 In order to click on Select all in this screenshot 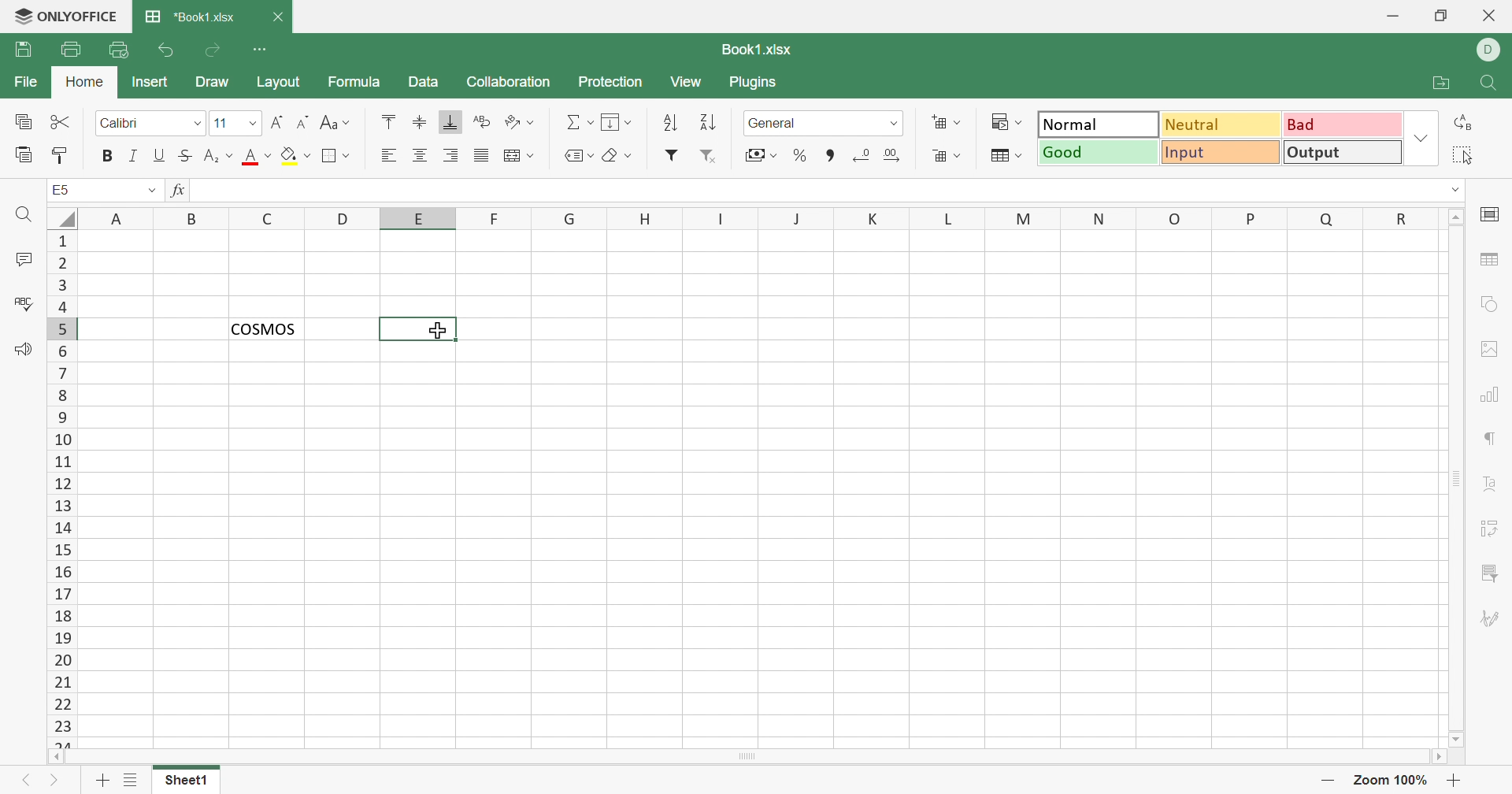, I will do `click(1462, 155)`.